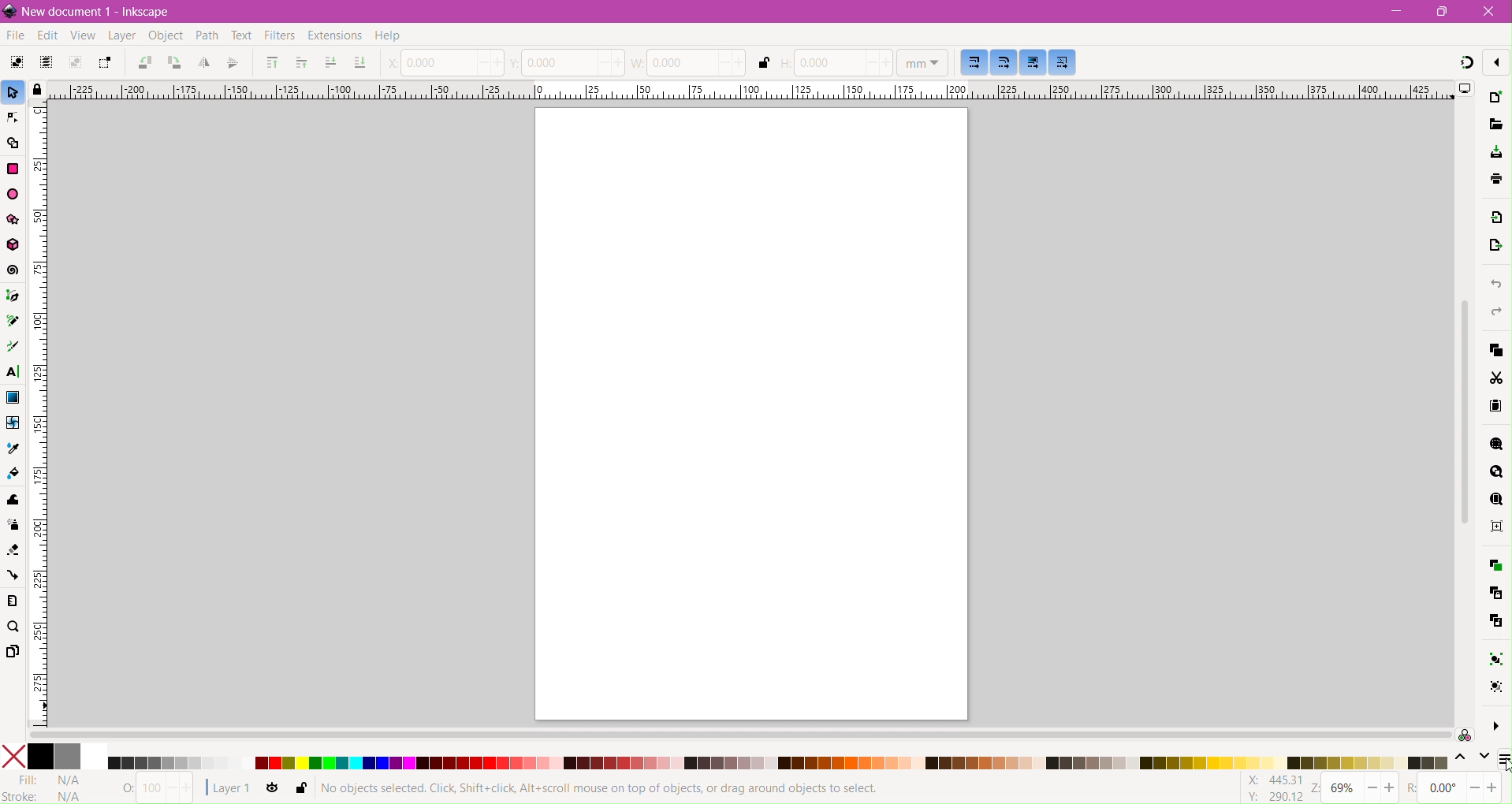 This screenshot has height=804, width=1512. Describe the element at coordinates (1497, 471) in the screenshot. I see `Zoom Drawing` at that location.